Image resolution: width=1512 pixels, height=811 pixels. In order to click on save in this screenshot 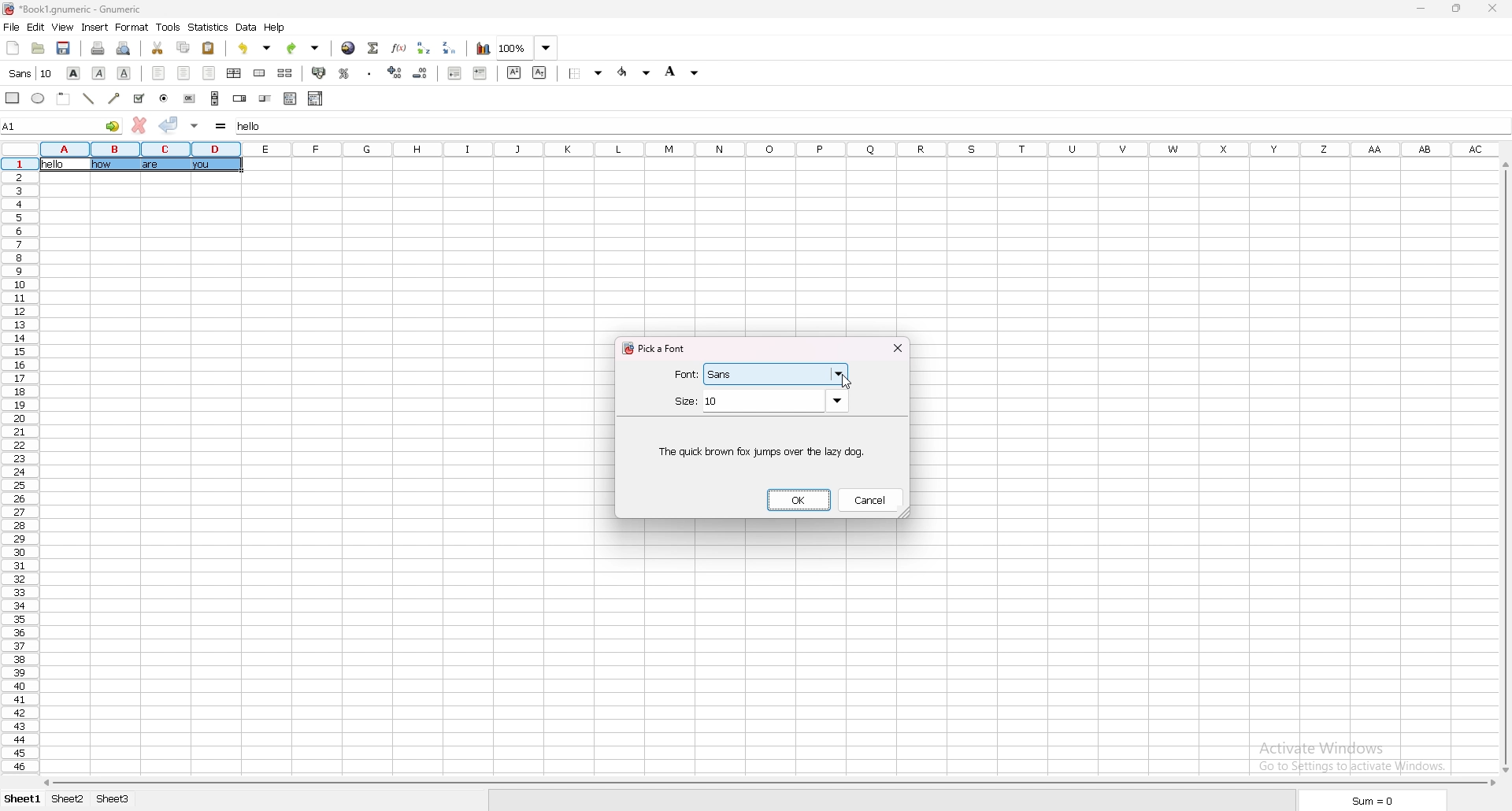, I will do `click(65, 48)`.